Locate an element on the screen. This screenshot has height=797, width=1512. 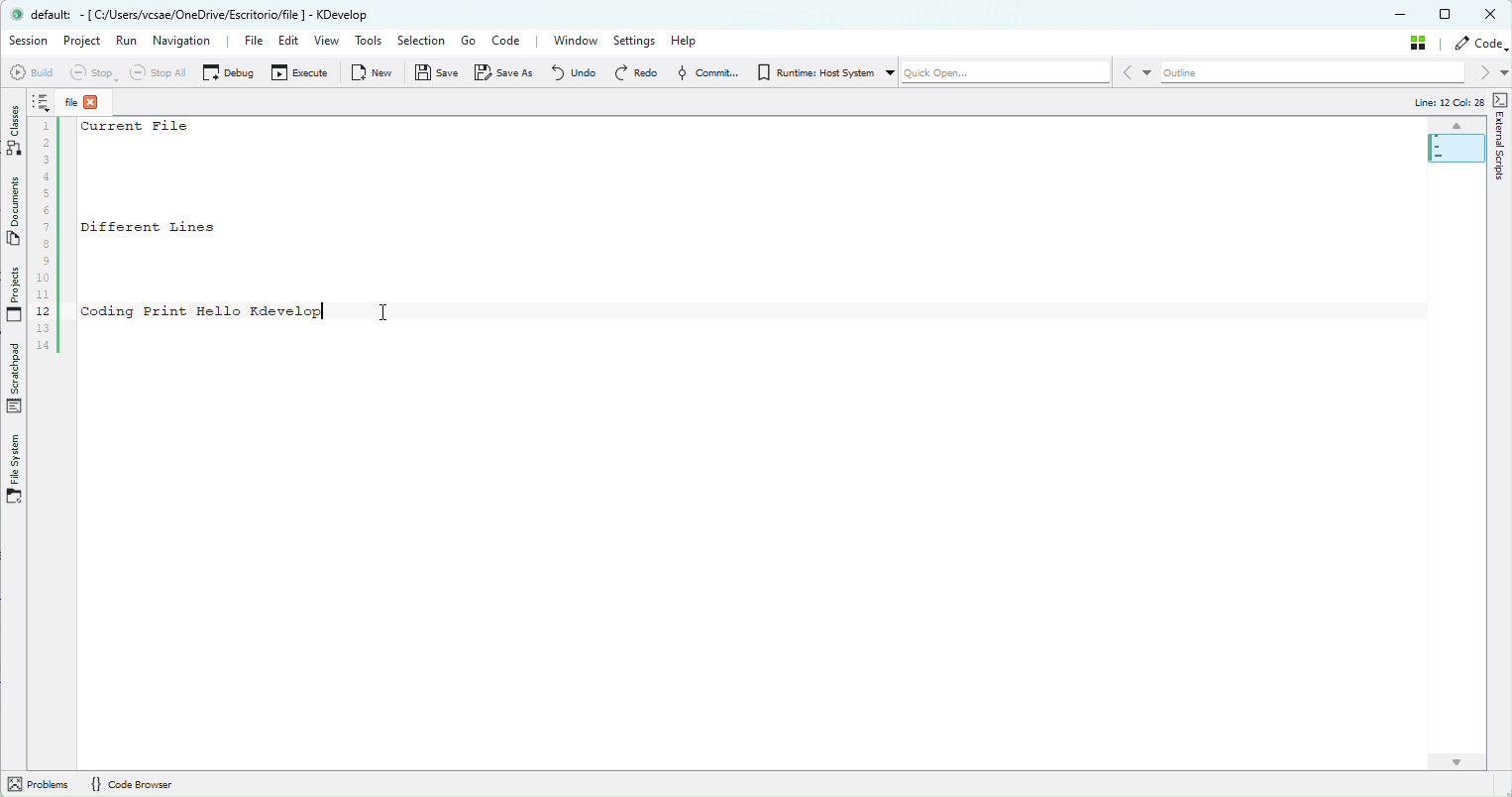
Debug is located at coordinates (229, 73).